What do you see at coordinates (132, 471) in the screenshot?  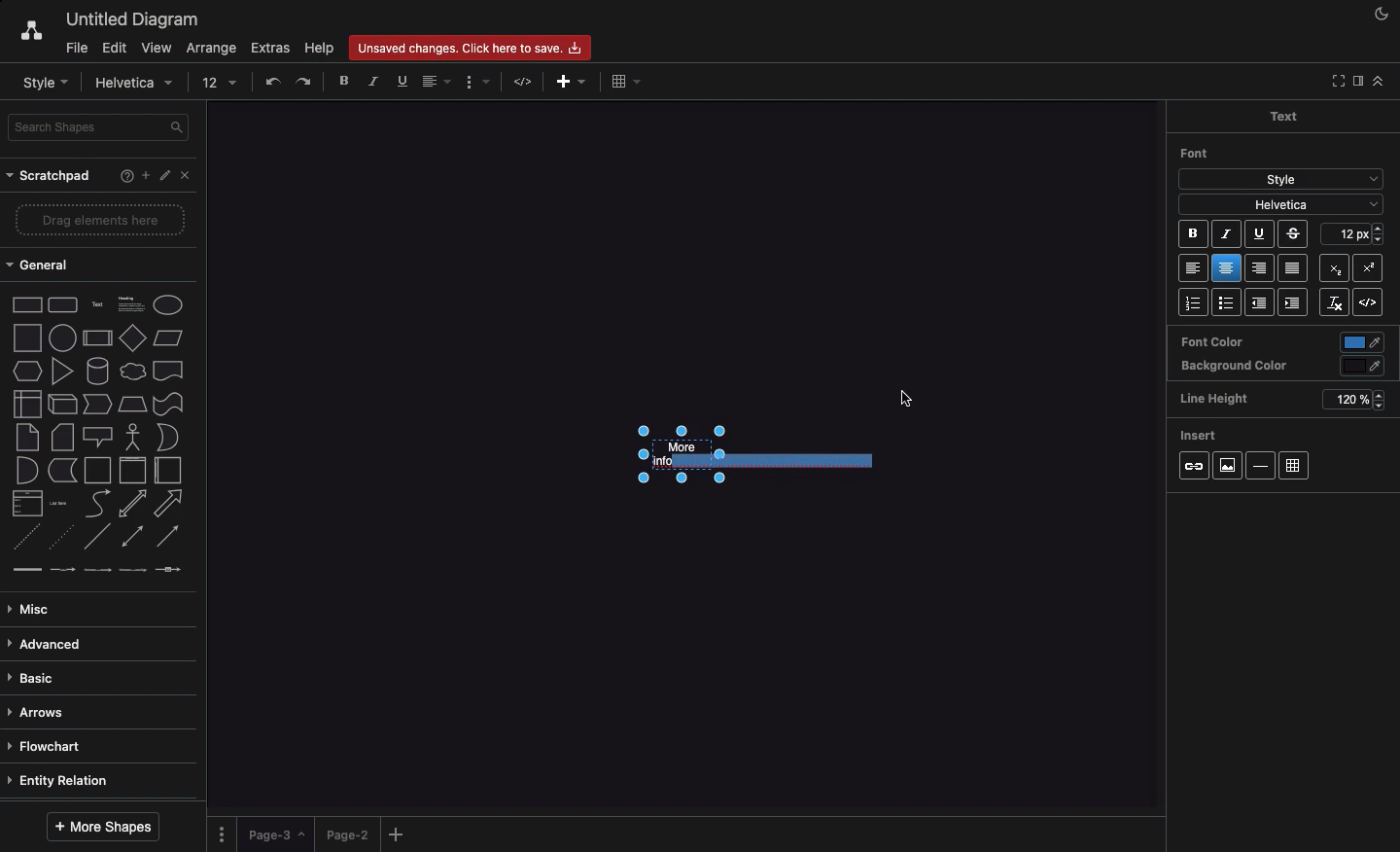 I see `vertical container` at bounding box center [132, 471].